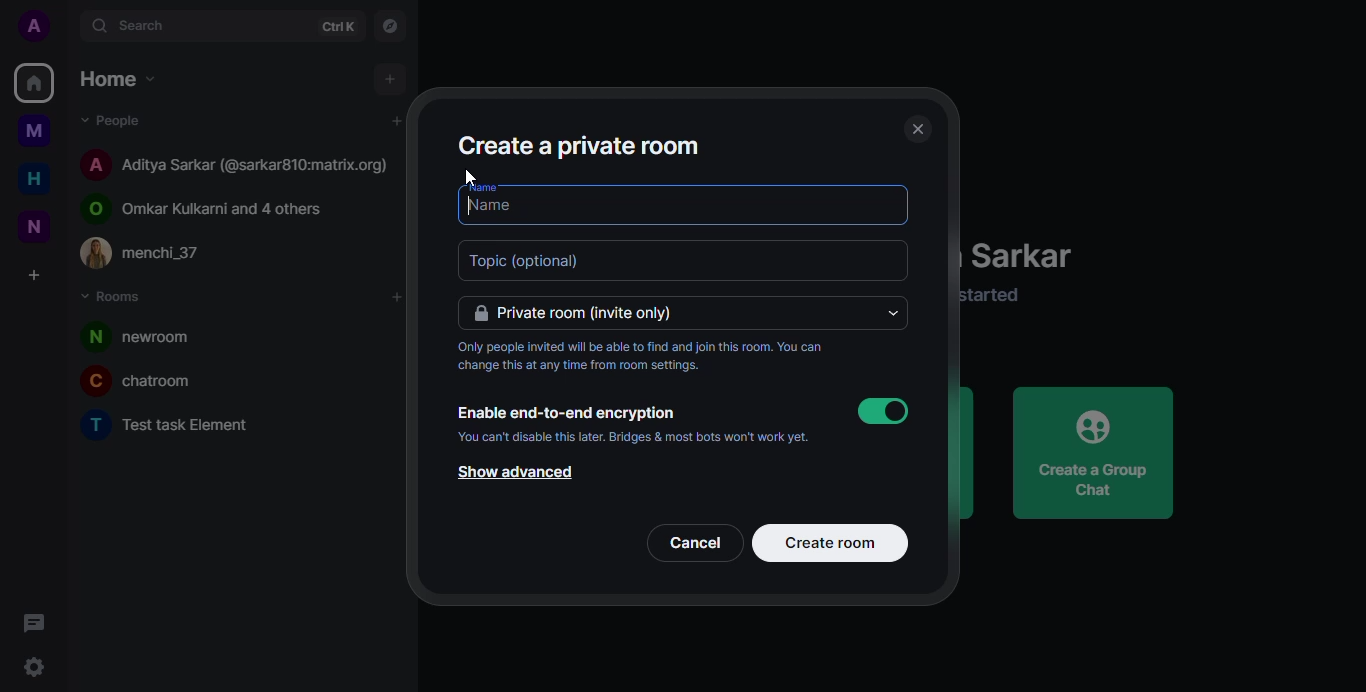 This screenshot has height=692, width=1366. Describe the element at coordinates (34, 621) in the screenshot. I see `threads` at that location.